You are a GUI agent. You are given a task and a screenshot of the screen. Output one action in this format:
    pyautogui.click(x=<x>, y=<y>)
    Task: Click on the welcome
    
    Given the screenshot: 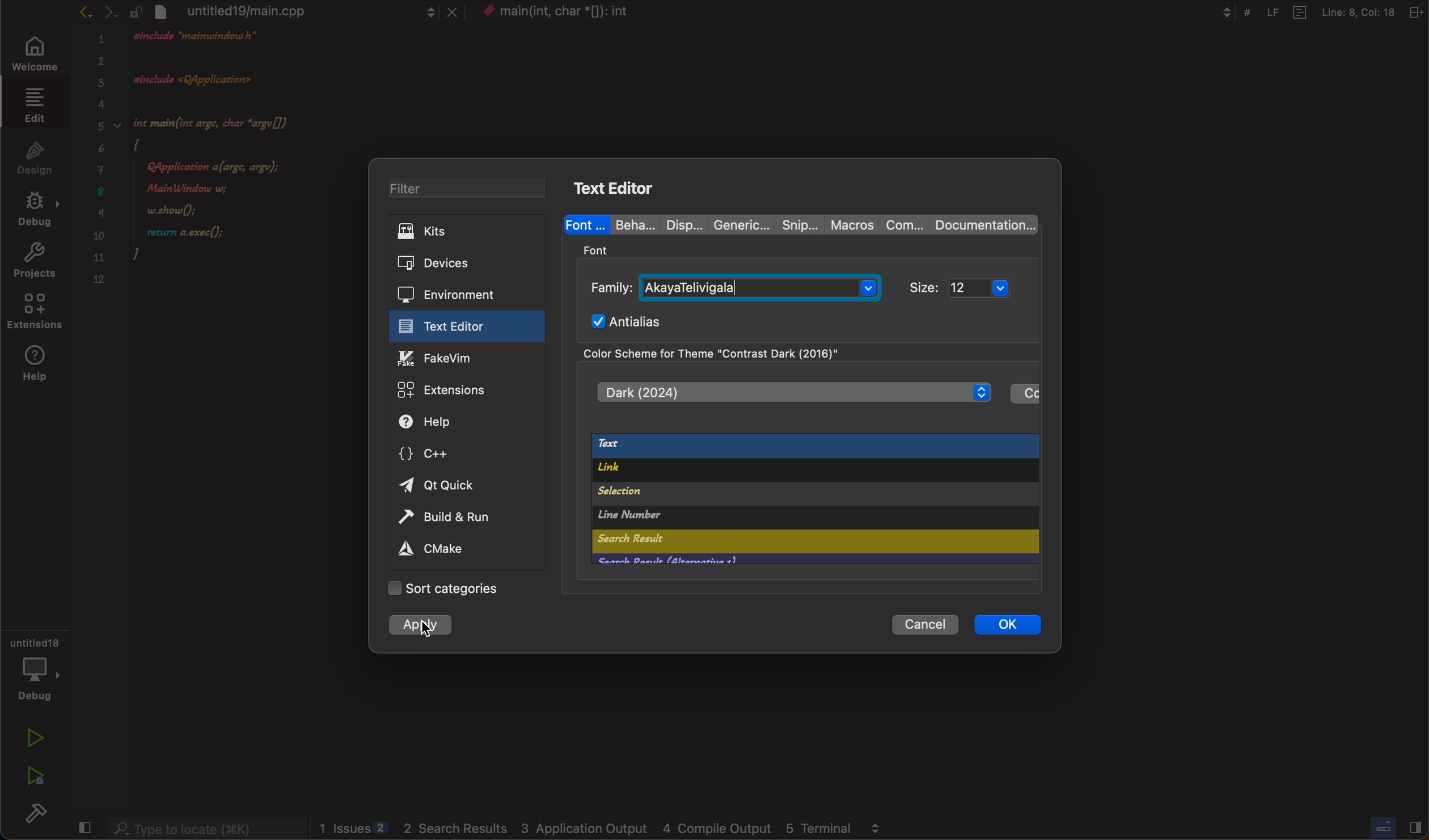 What is the action you would take?
    pyautogui.click(x=37, y=56)
    